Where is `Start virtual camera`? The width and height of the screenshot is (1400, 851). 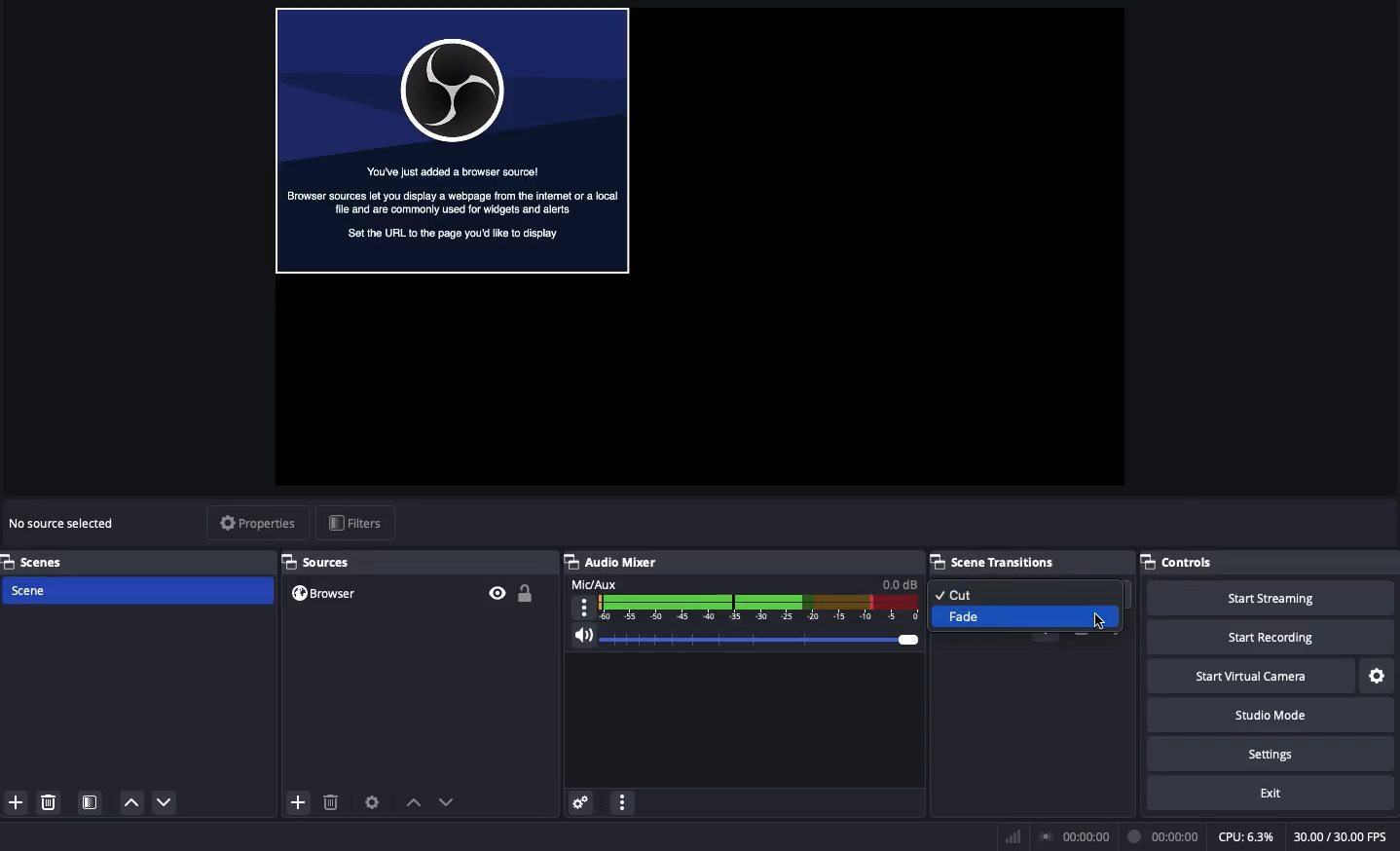 Start virtual camera is located at coordinates (1248, 678).